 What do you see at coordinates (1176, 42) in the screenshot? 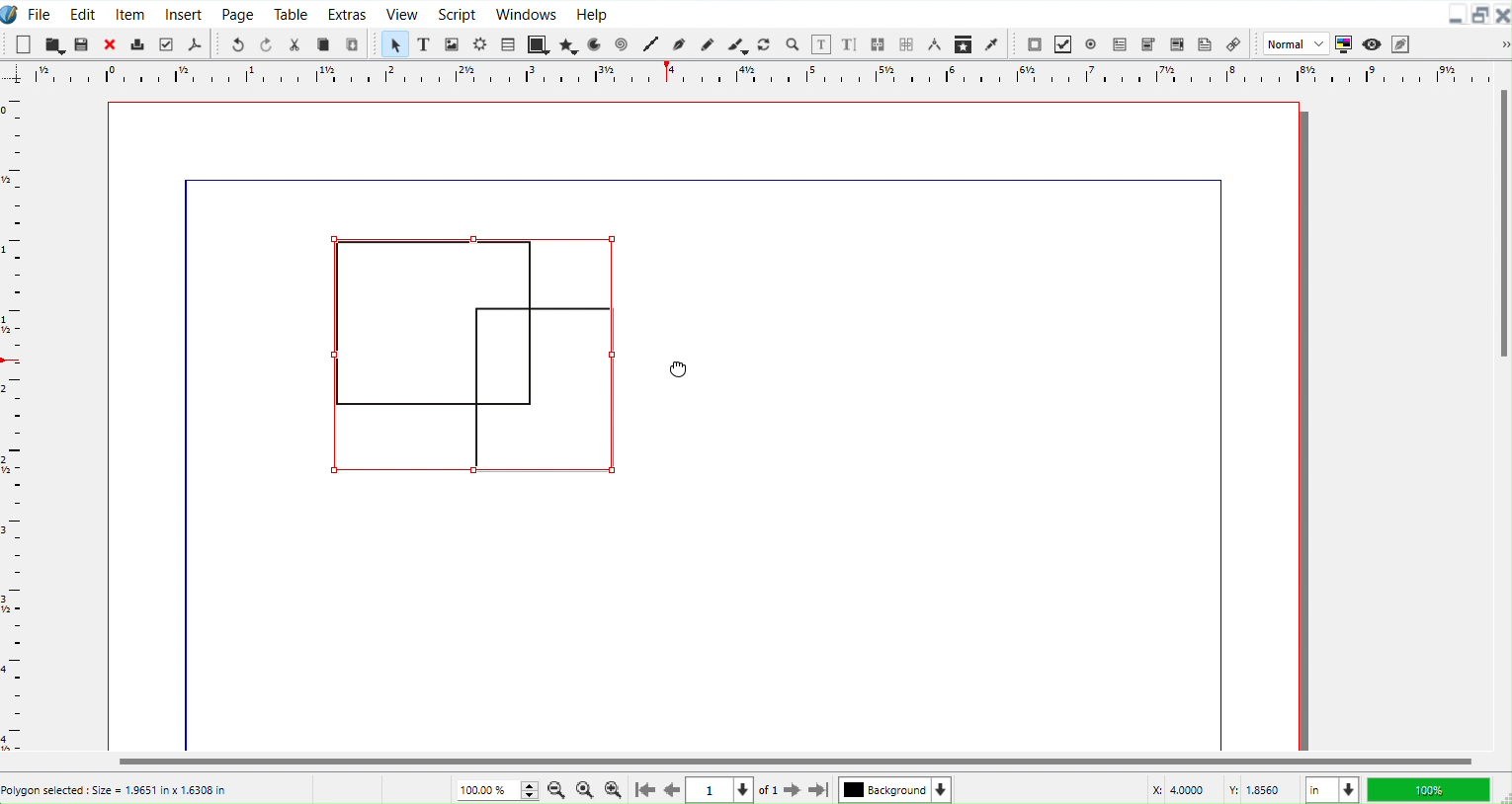
I see `PDF List Box` at bounding box center [1176, 42].